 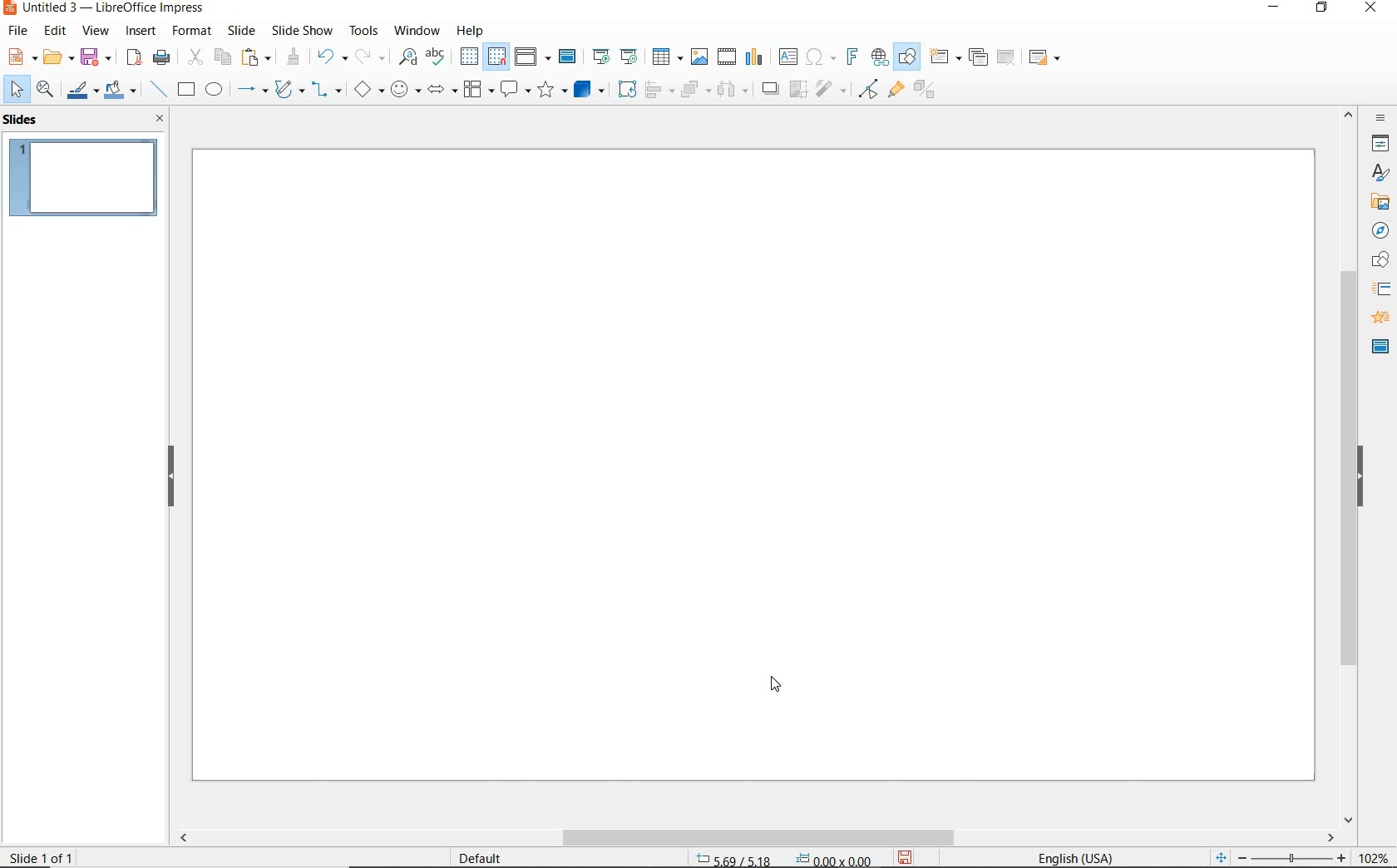 I want to click on CALLOUT SHAPES, so click(x=513, y=91).